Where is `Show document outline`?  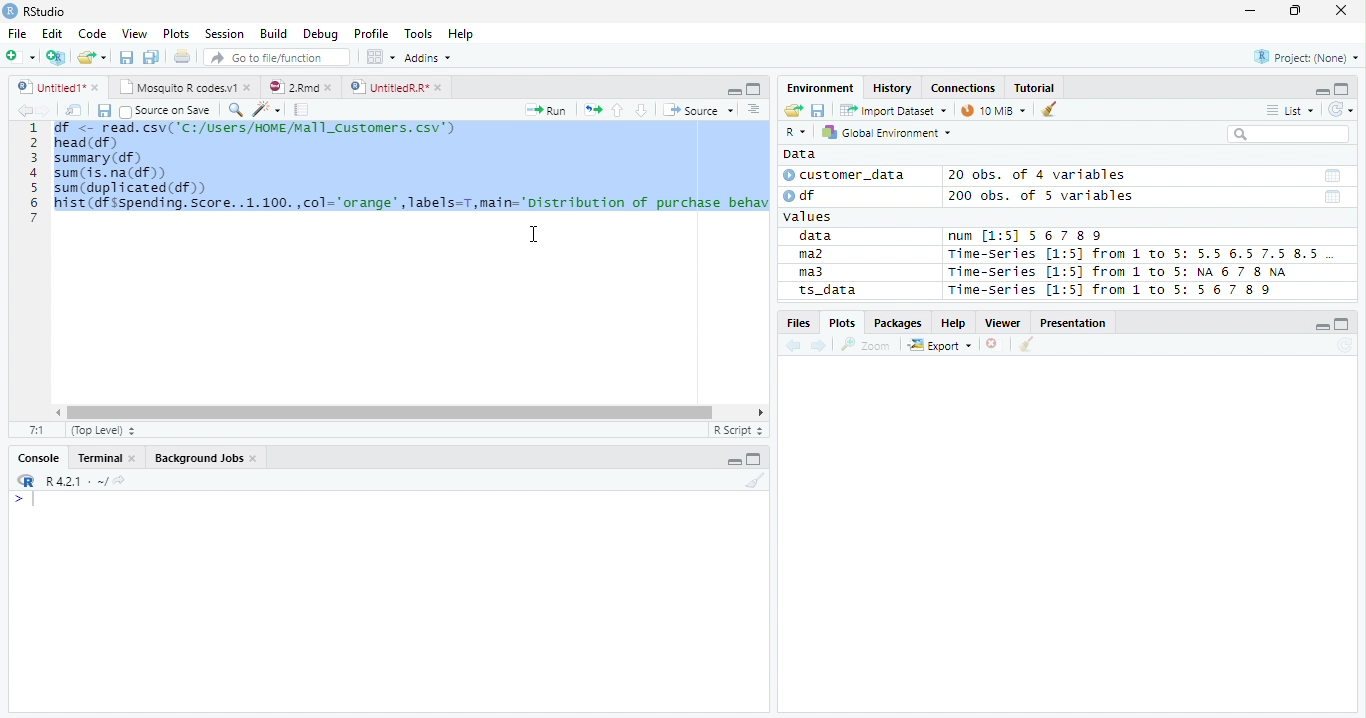
Show document outline is located at coordinates (752, 109).